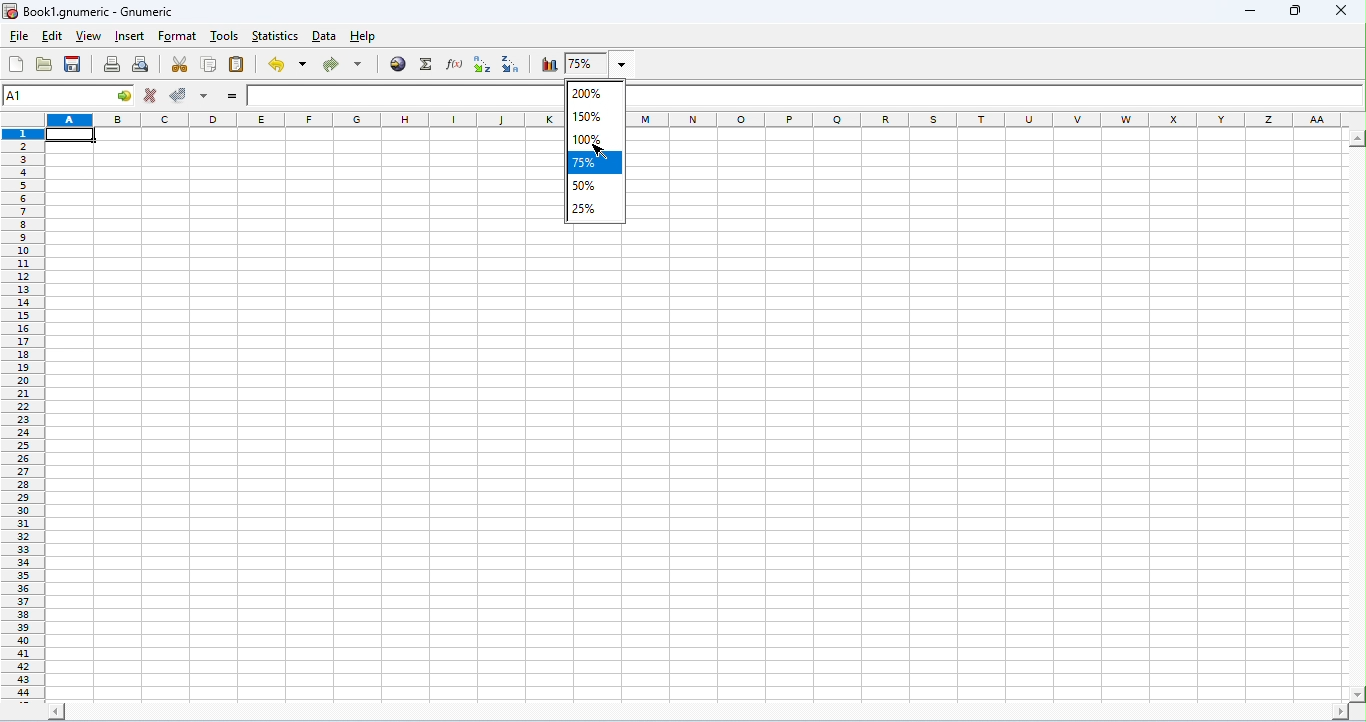  What do you see at coordinates (597, 140) in the screenshot?
I see `100%` at bounding box center [597, 140].